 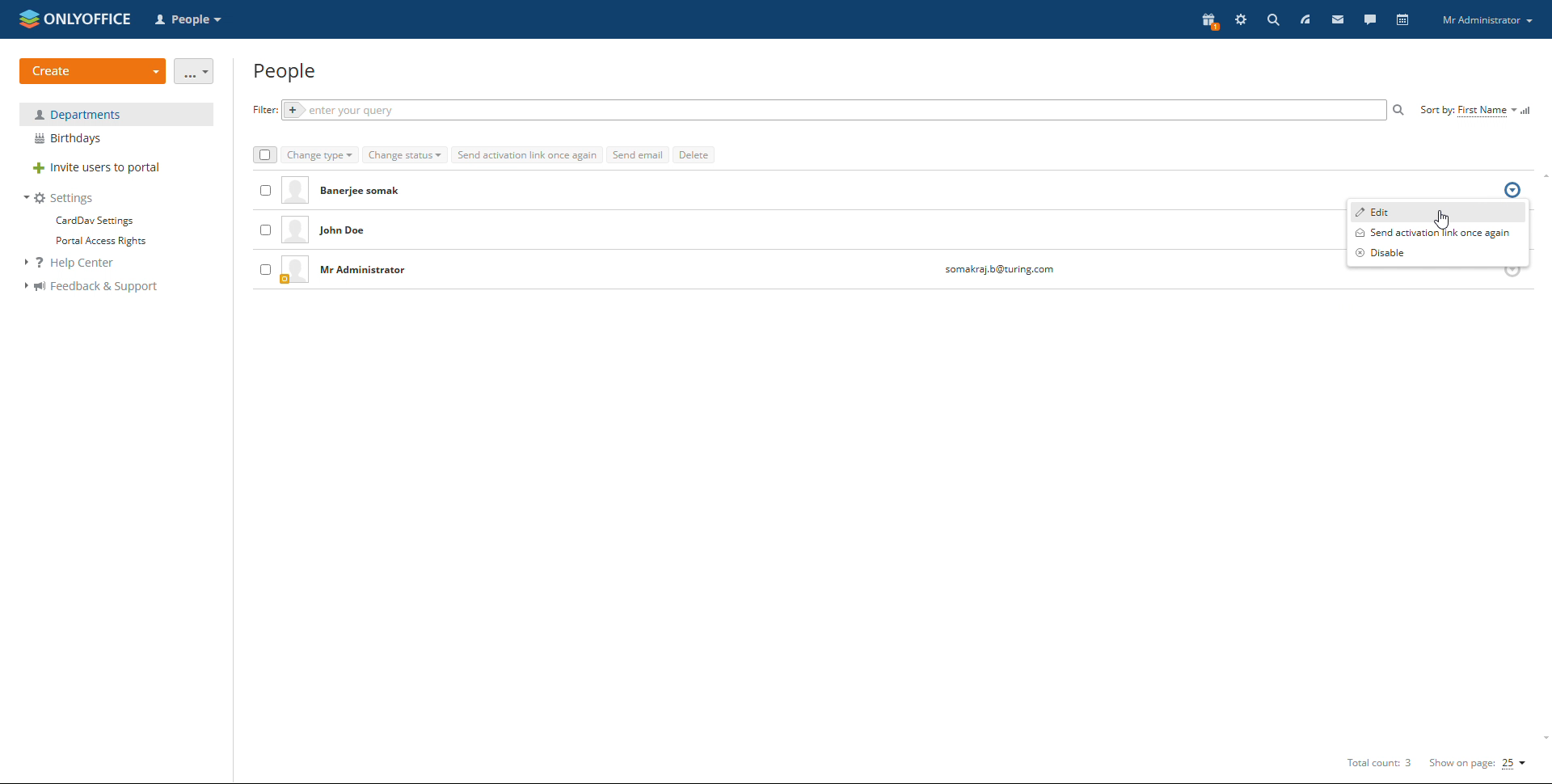 What do you see at coordinates (1438, 211) in the screenshot?
I see `edit` at bounding box center [1438, 211].